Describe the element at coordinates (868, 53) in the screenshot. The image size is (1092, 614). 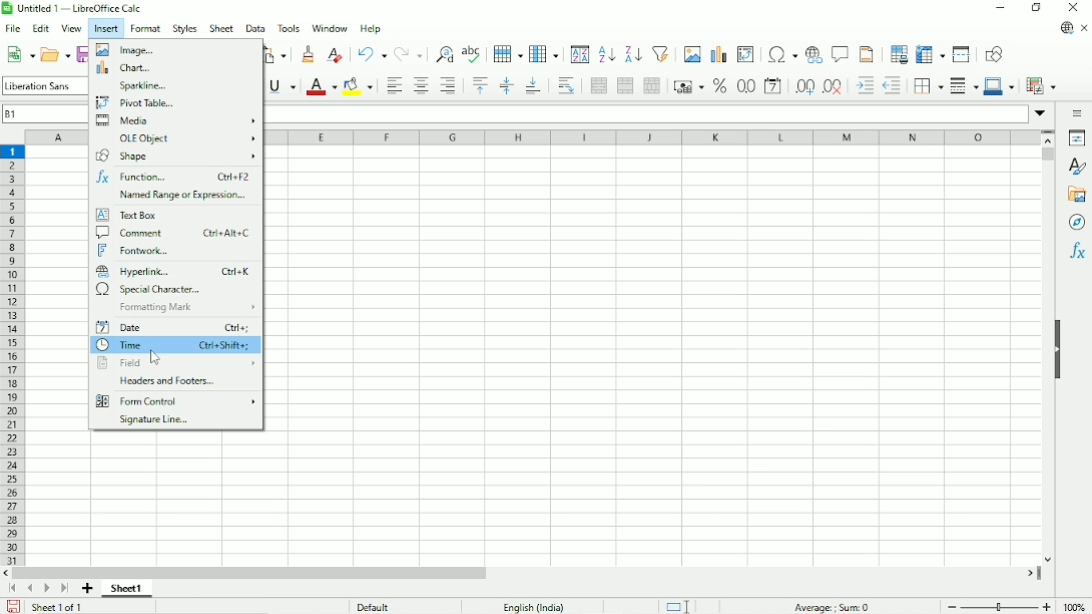
I see `Header and footer` at that location.